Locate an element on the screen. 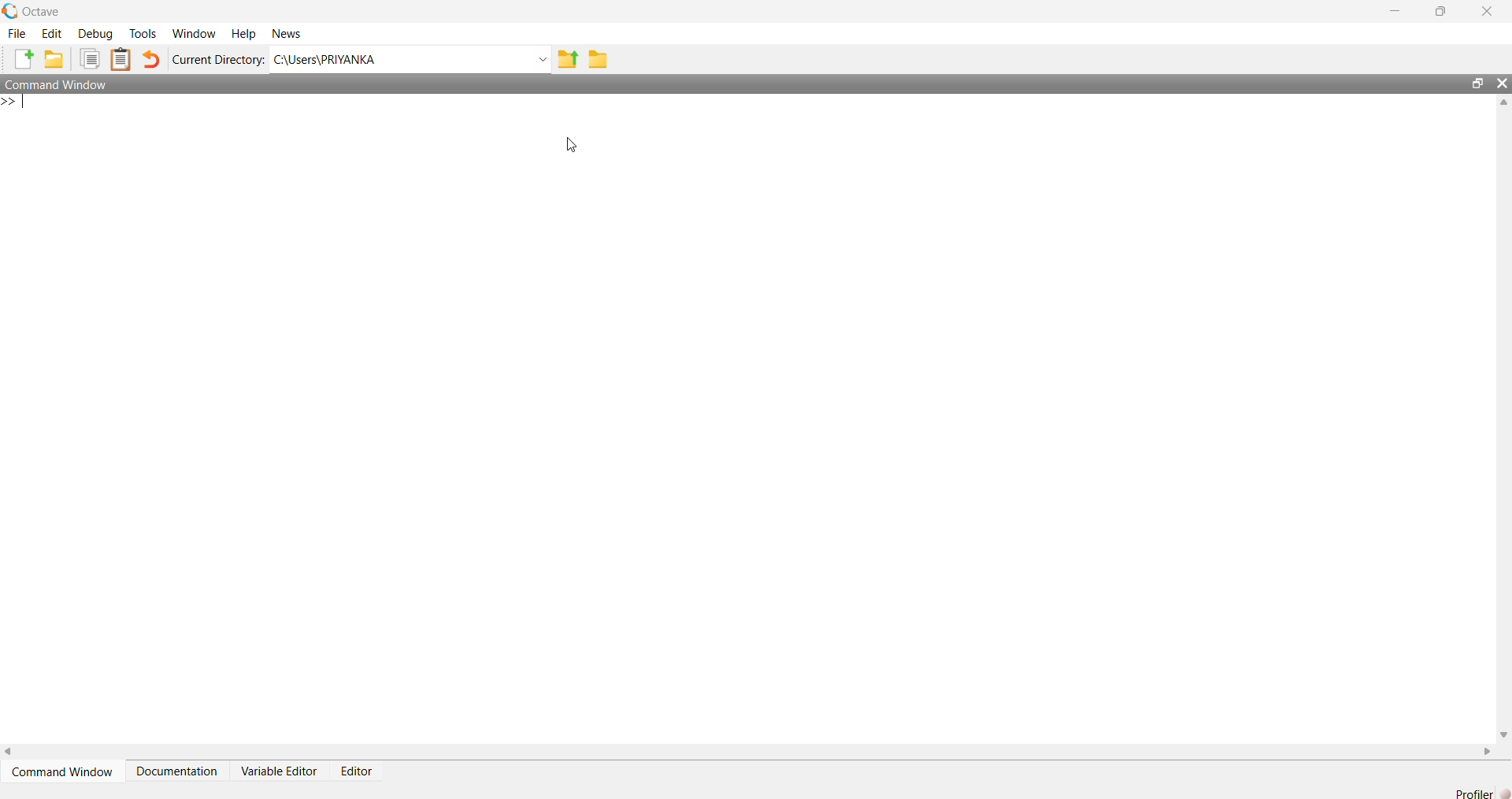  Variable Editor is located at coordinates (282, 770).